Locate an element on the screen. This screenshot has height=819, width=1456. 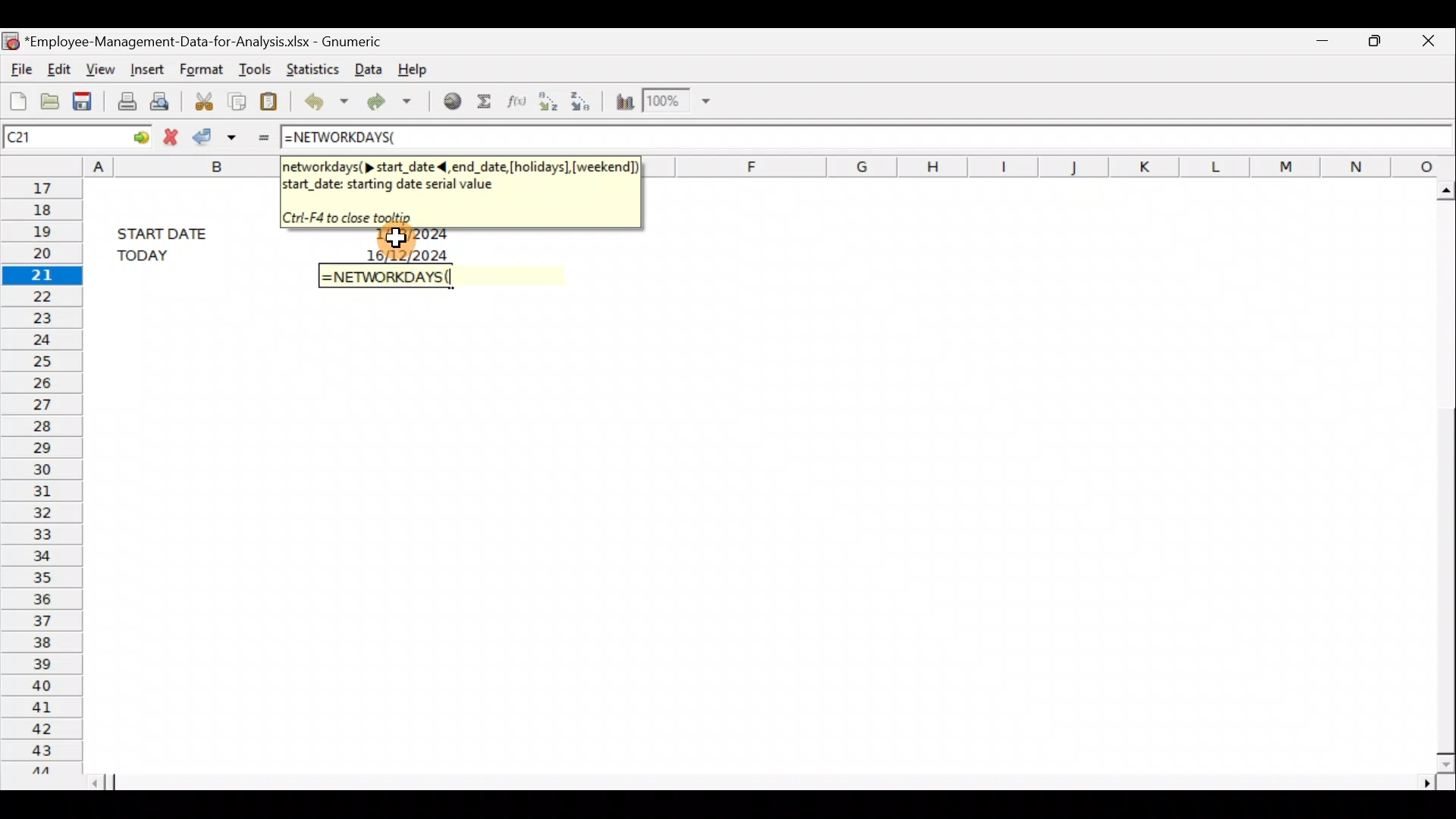
Scroll bar is located at coordinates (767, 782).